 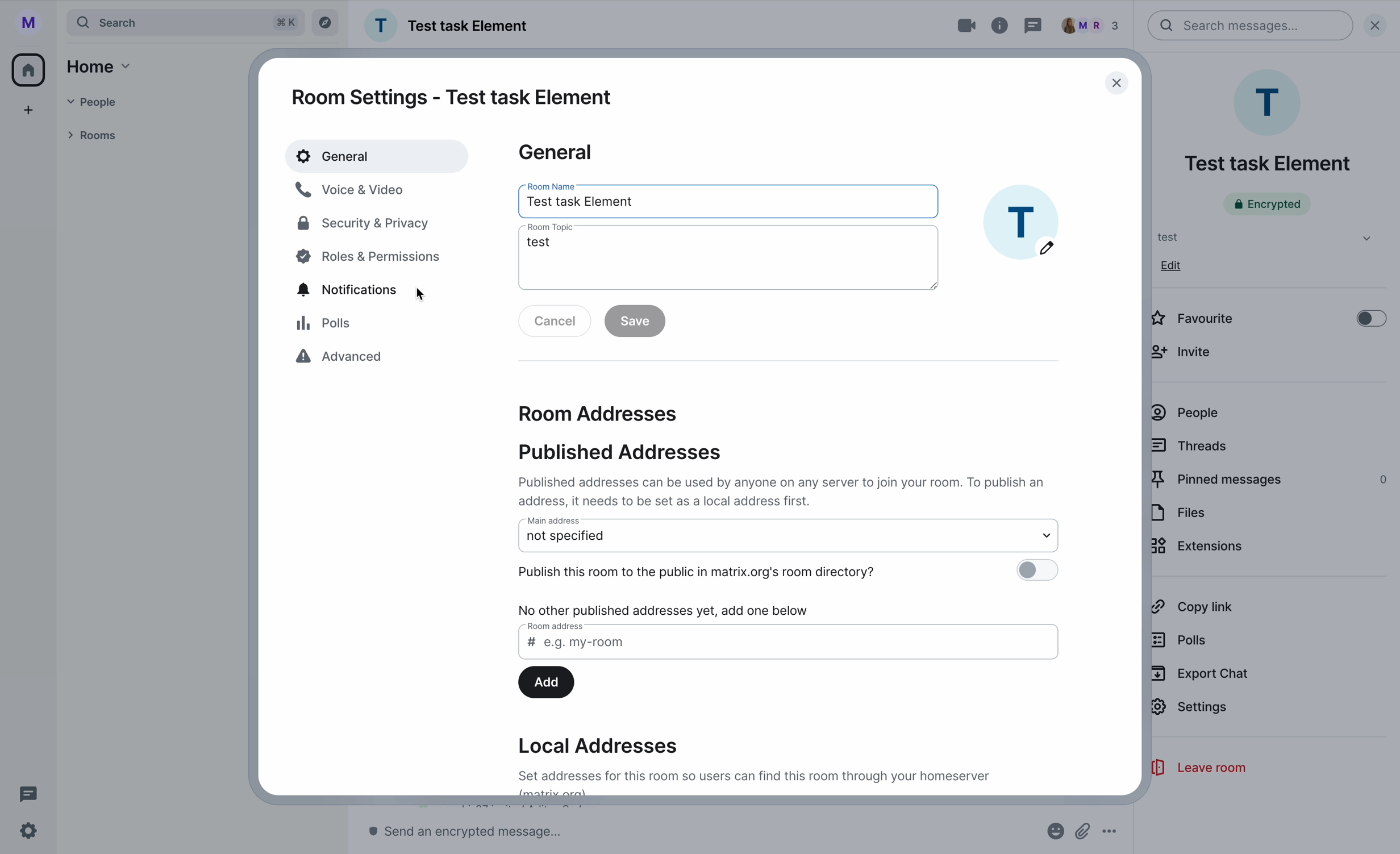 I want to click on people, so click(x=1186, y=413).